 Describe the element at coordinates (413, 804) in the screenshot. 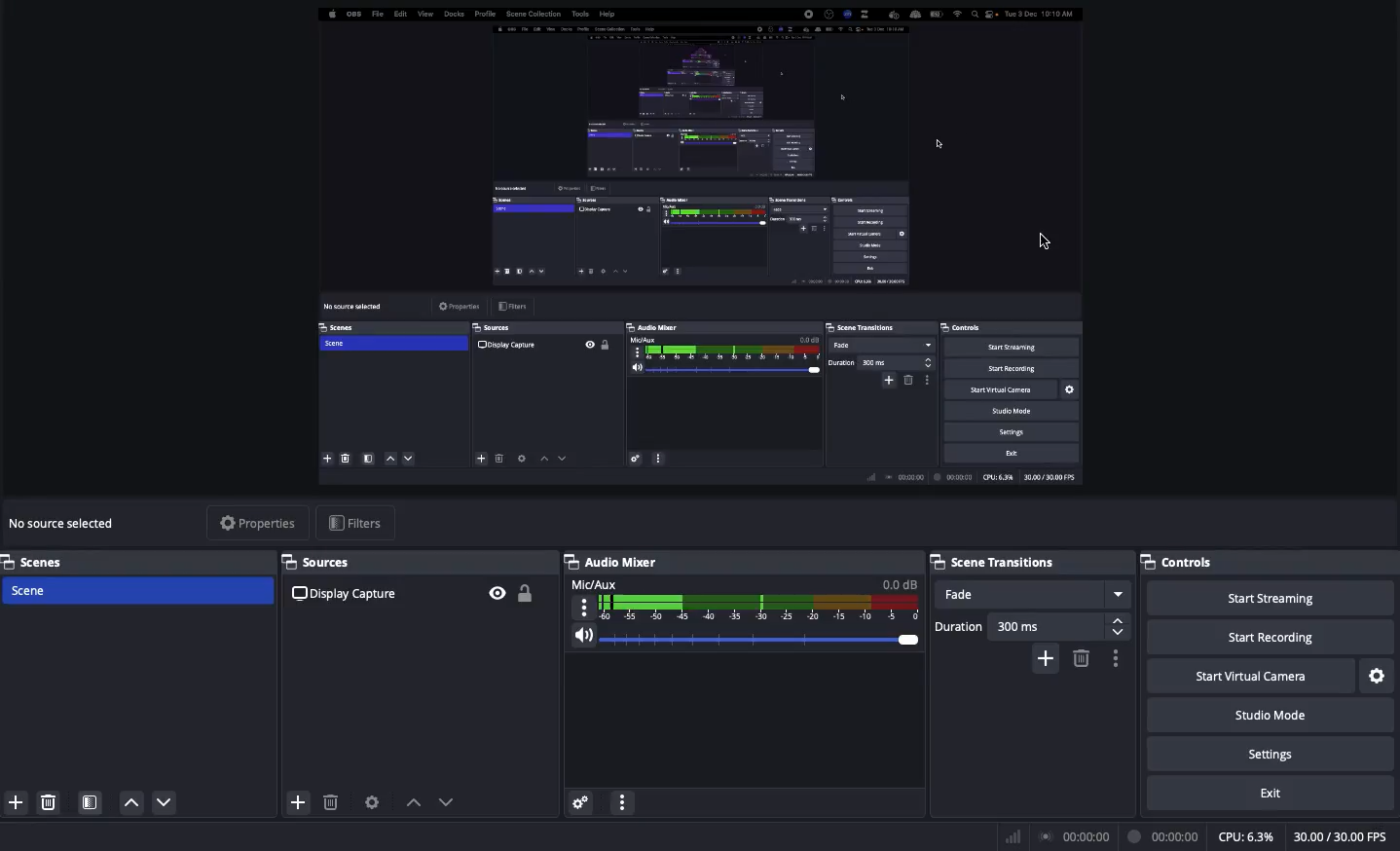

I see `Up` at that location.